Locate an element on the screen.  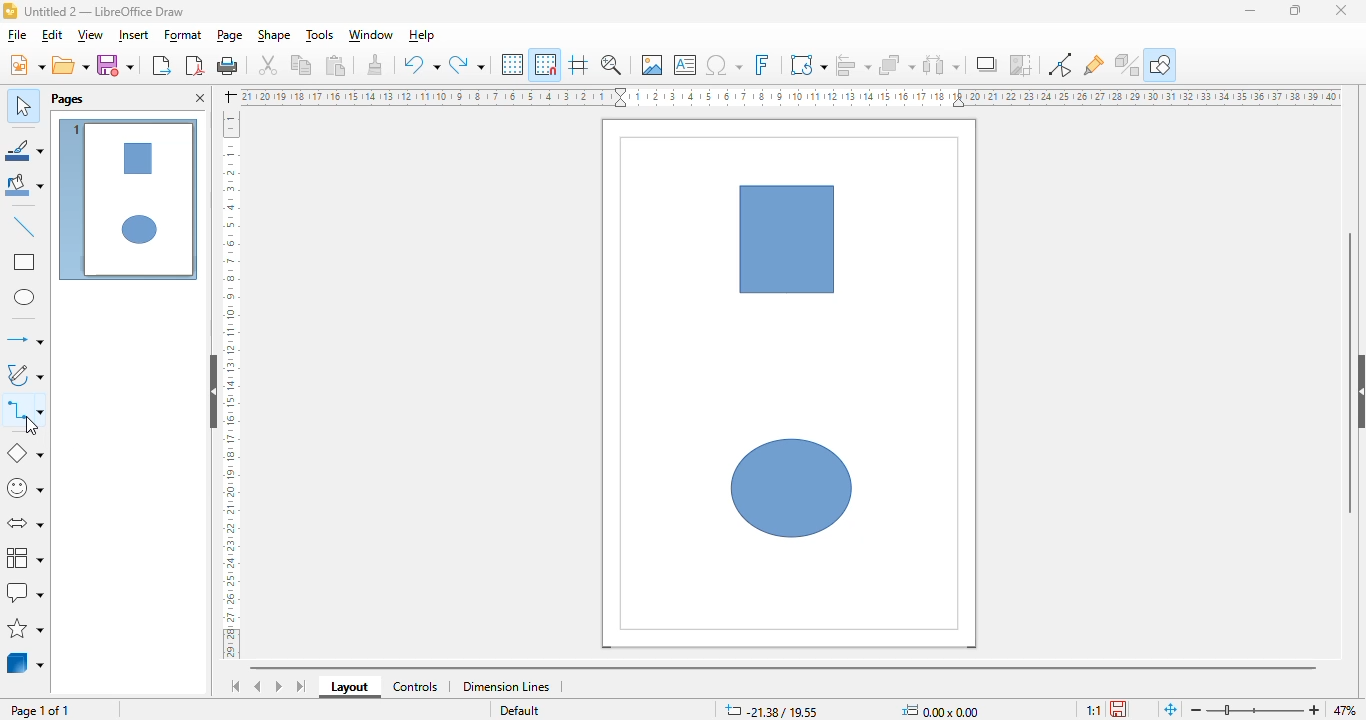
scroll to previous sheet is located at coordinates (258, 686).